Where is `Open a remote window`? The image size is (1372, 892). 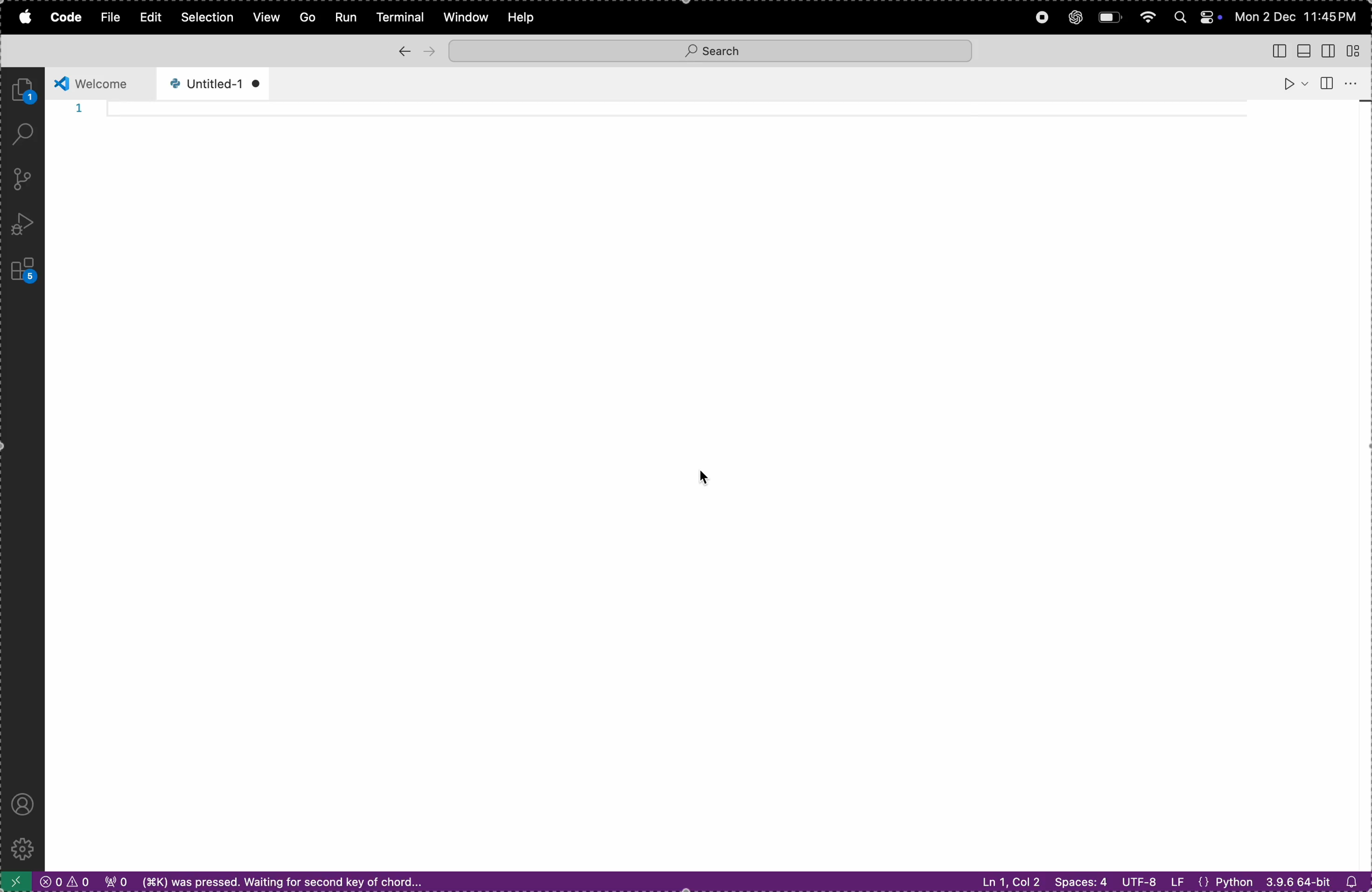 Open a remote window is located at coordinates (14, 880).